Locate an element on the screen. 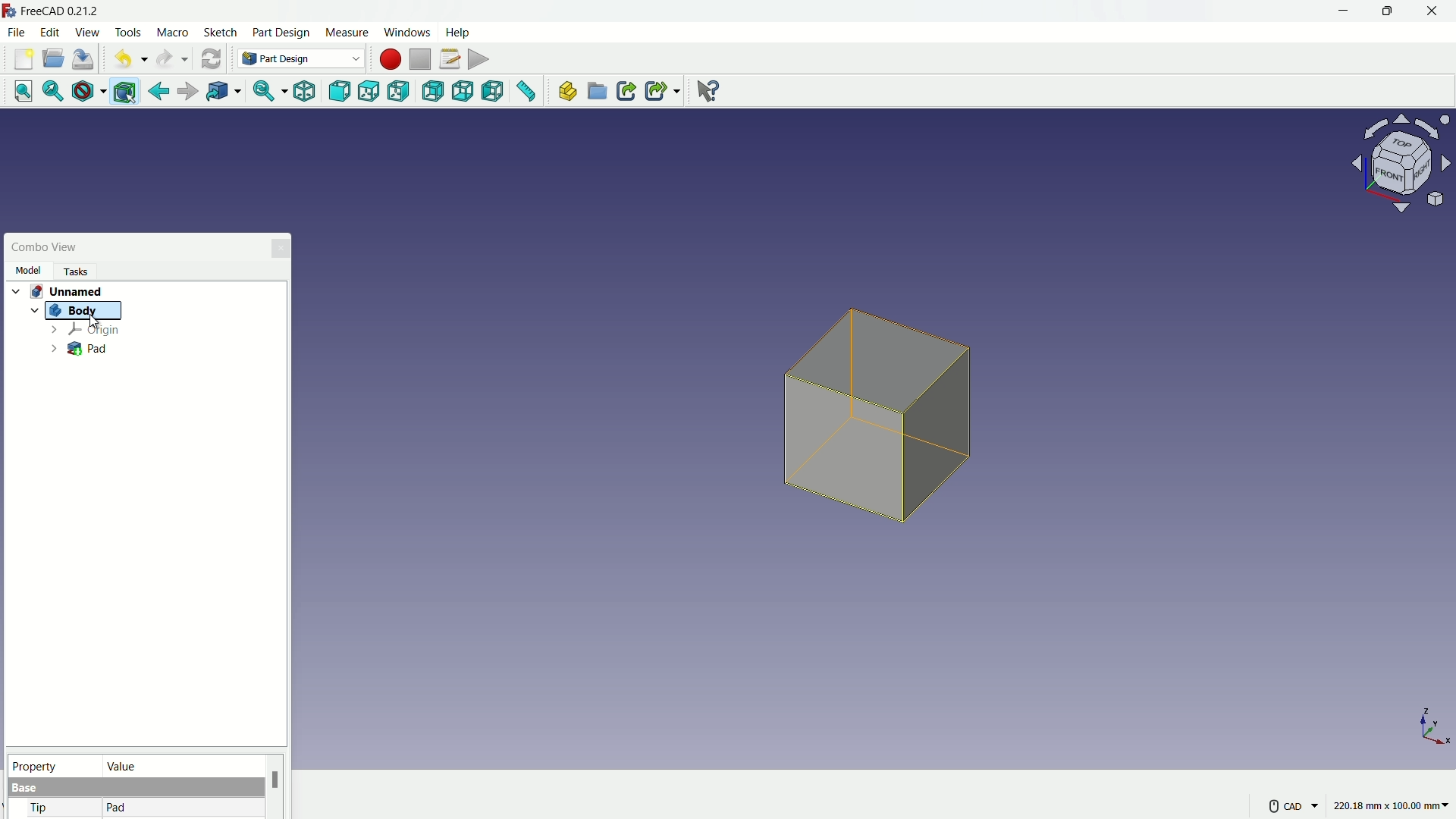  draw style is located at coordinates (86, 92).